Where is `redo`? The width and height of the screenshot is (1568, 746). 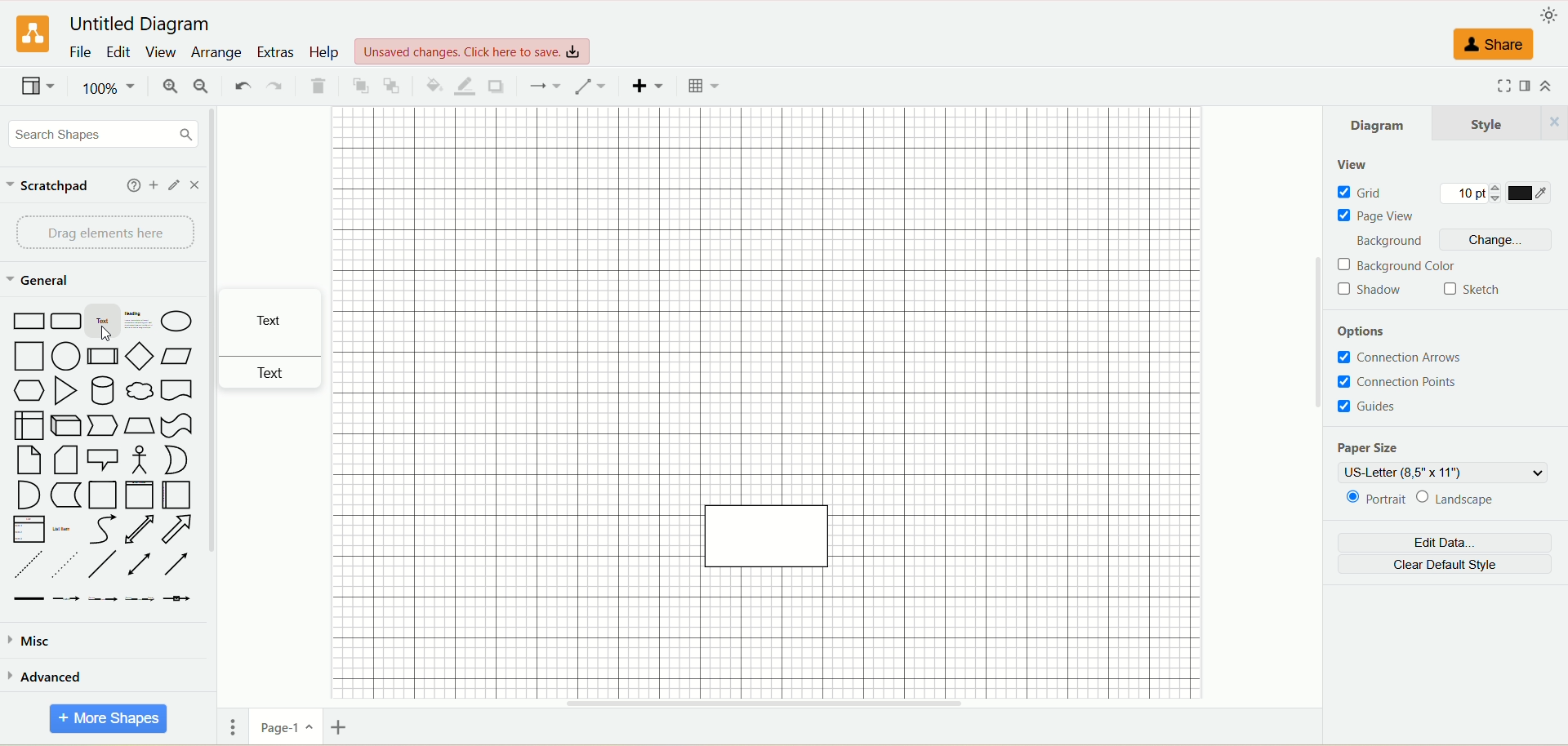
redo is located at coordinates (276, 84).